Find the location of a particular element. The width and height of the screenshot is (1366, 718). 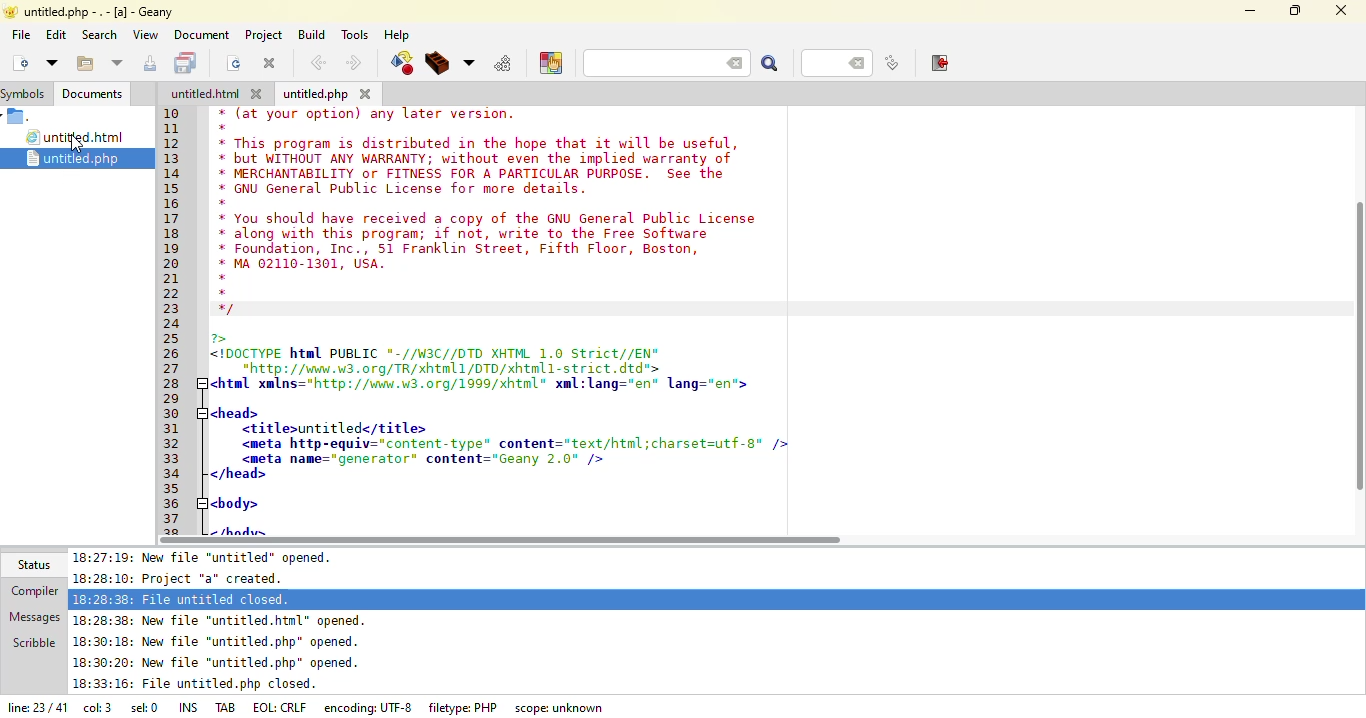

scope is located at coordinates (559, 708).